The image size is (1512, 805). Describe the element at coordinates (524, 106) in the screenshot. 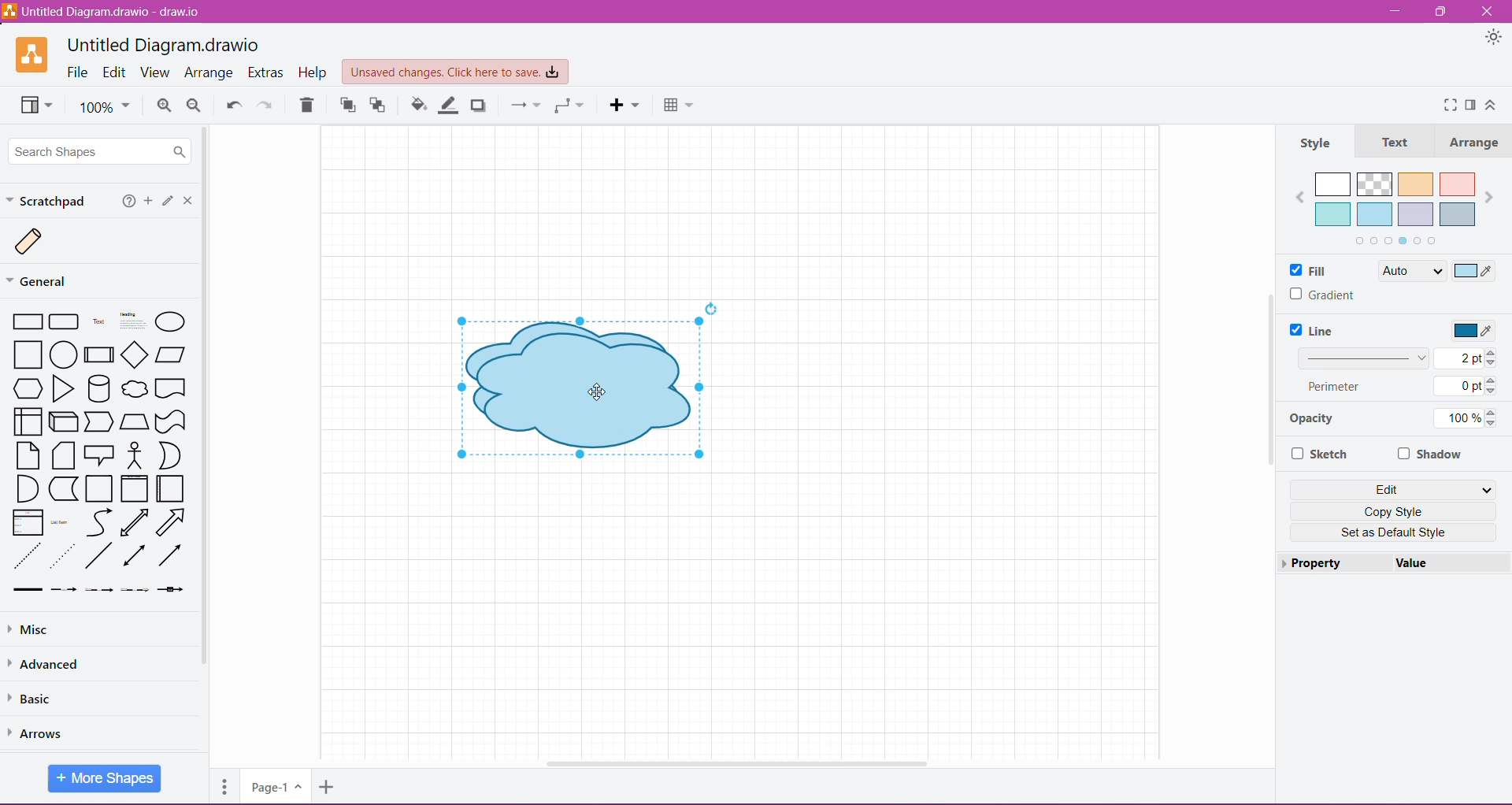

I see `Connection` at that location.